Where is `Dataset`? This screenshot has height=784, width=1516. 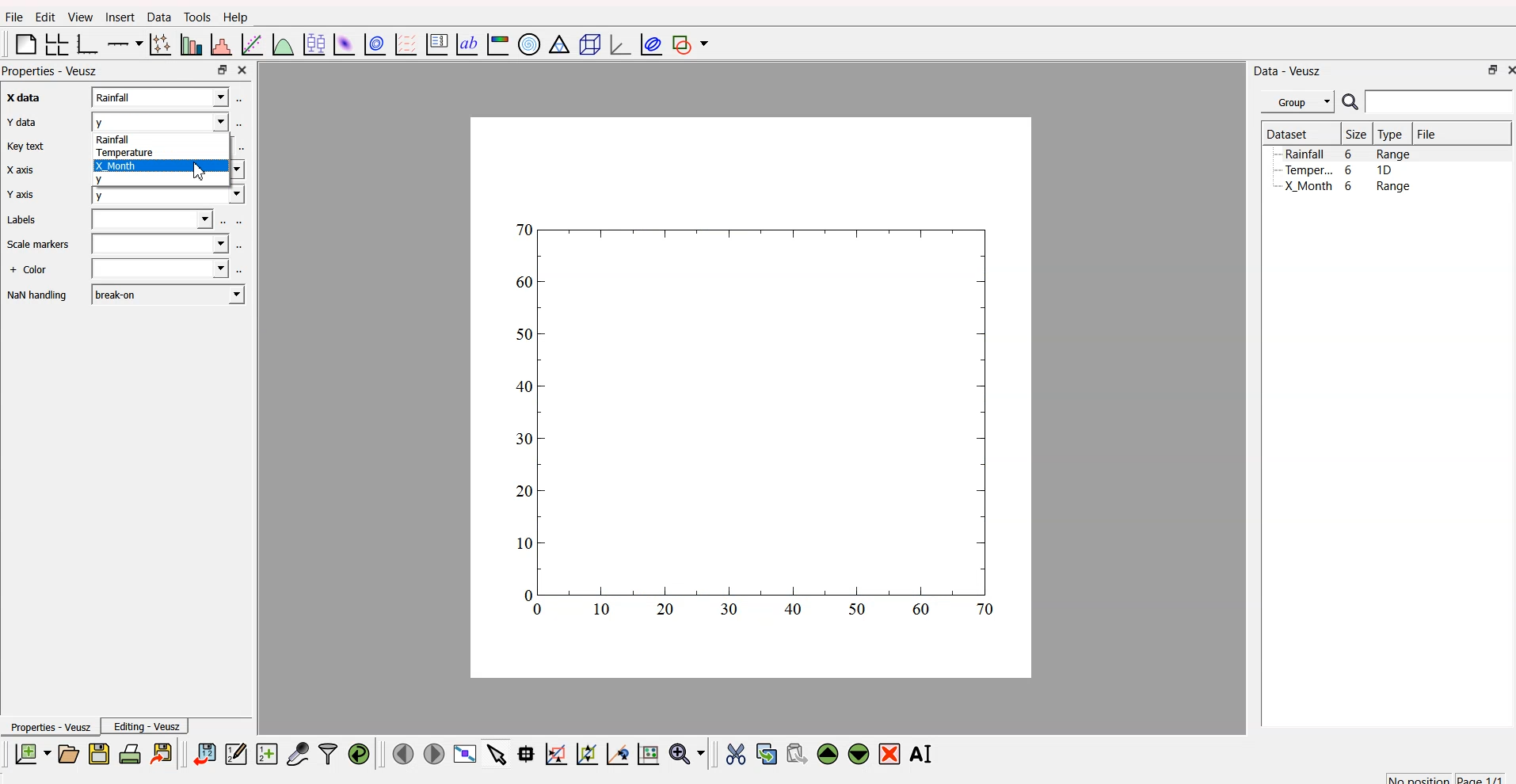 Dataset is located at coordinates (1287, 133).